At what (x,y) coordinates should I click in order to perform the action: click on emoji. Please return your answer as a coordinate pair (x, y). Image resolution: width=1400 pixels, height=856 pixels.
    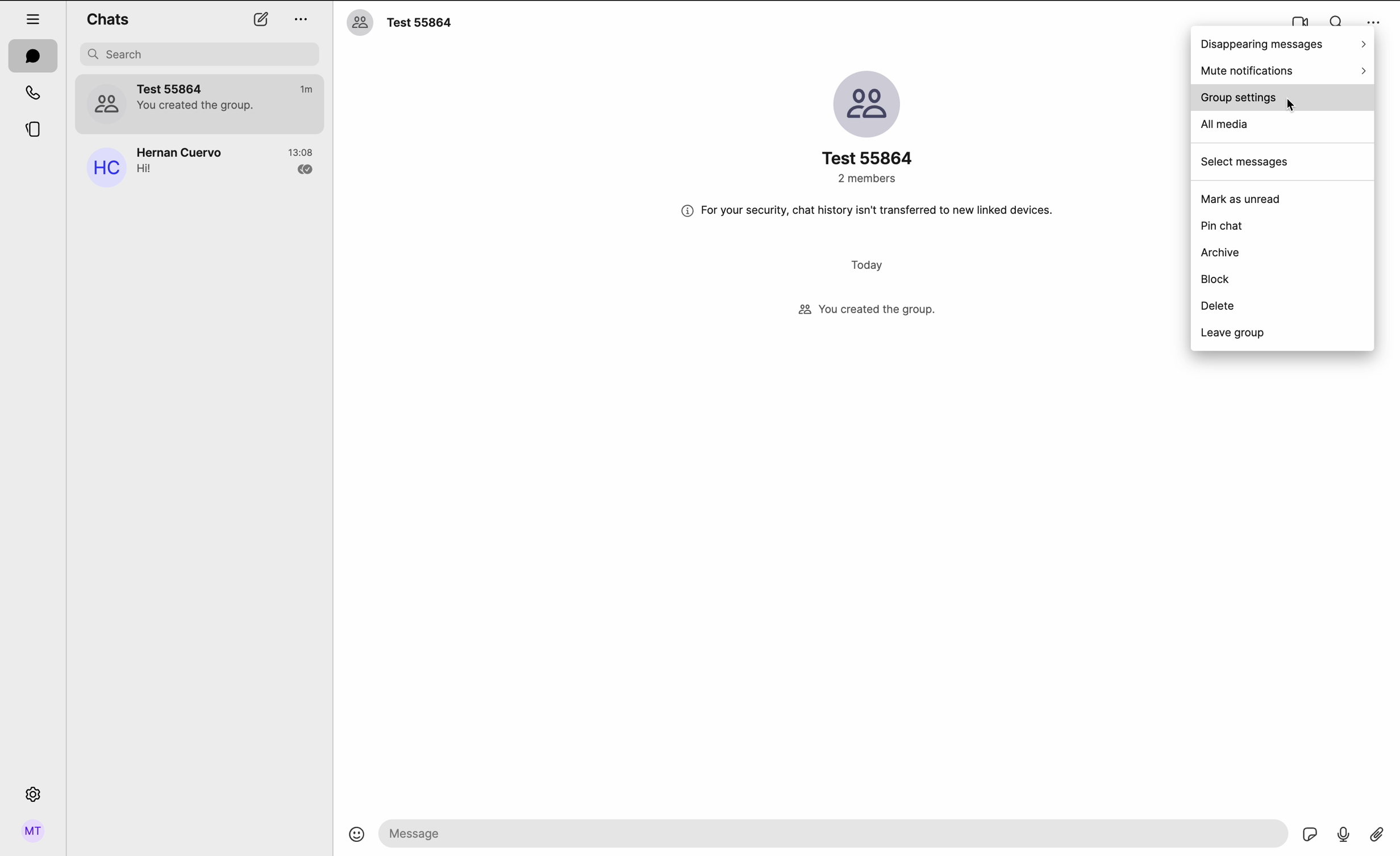
    Looking at the image, I should click on (358, 839).